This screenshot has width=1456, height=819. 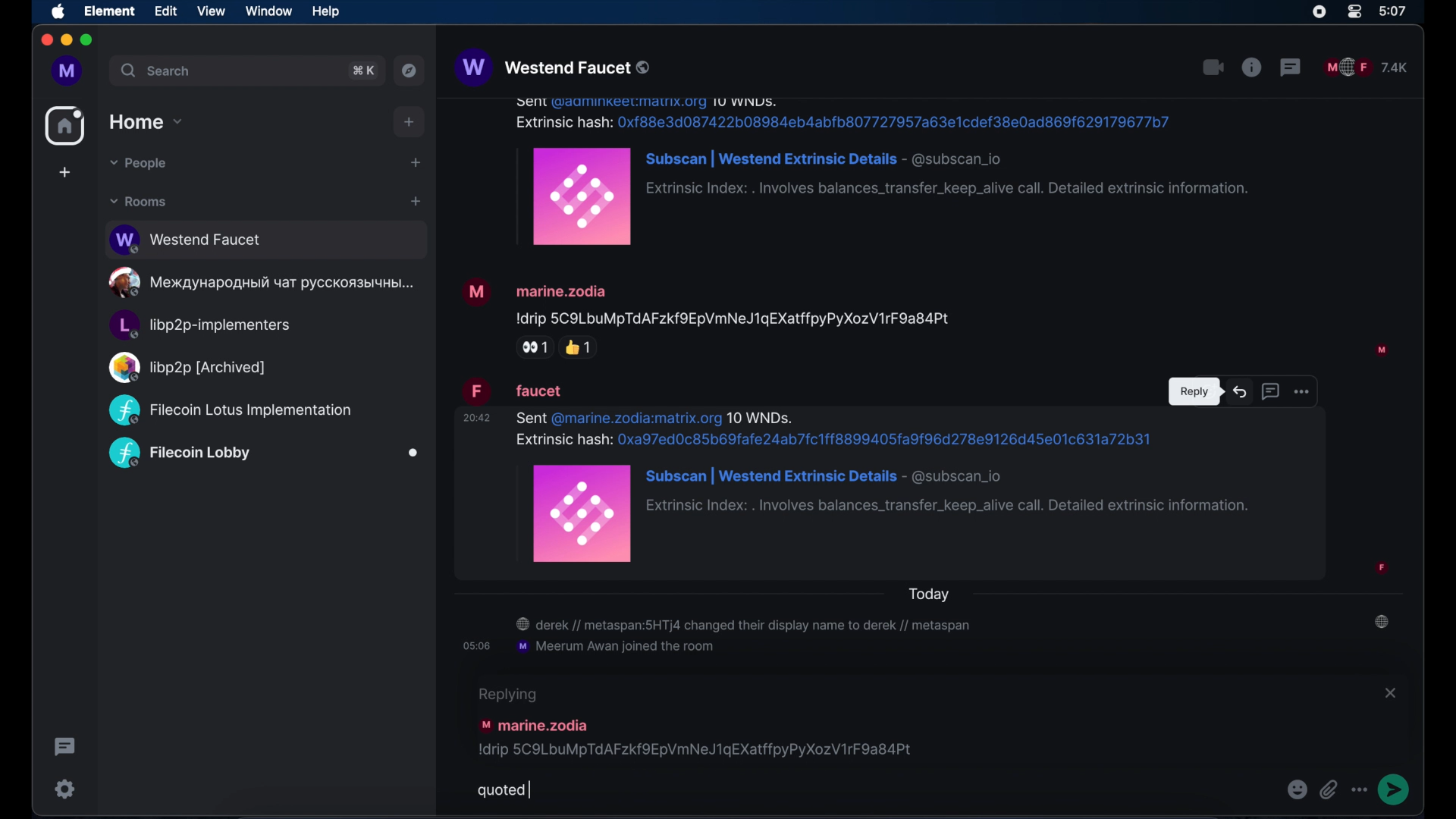 What do you see at coordinates (264, 454) in the screenshot?
I see `public room` at bounding box center [264, 454].